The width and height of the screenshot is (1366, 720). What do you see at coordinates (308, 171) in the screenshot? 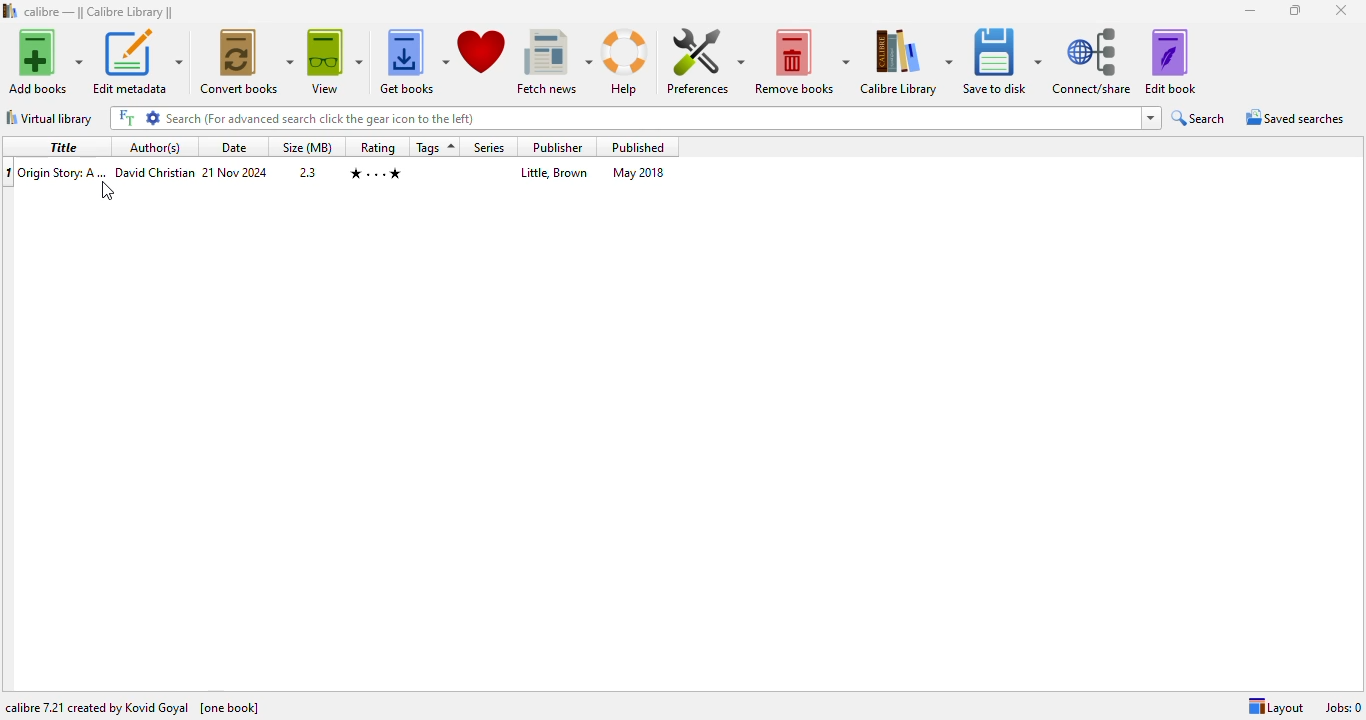
I see `2.3` at bounding box center [308, 171].